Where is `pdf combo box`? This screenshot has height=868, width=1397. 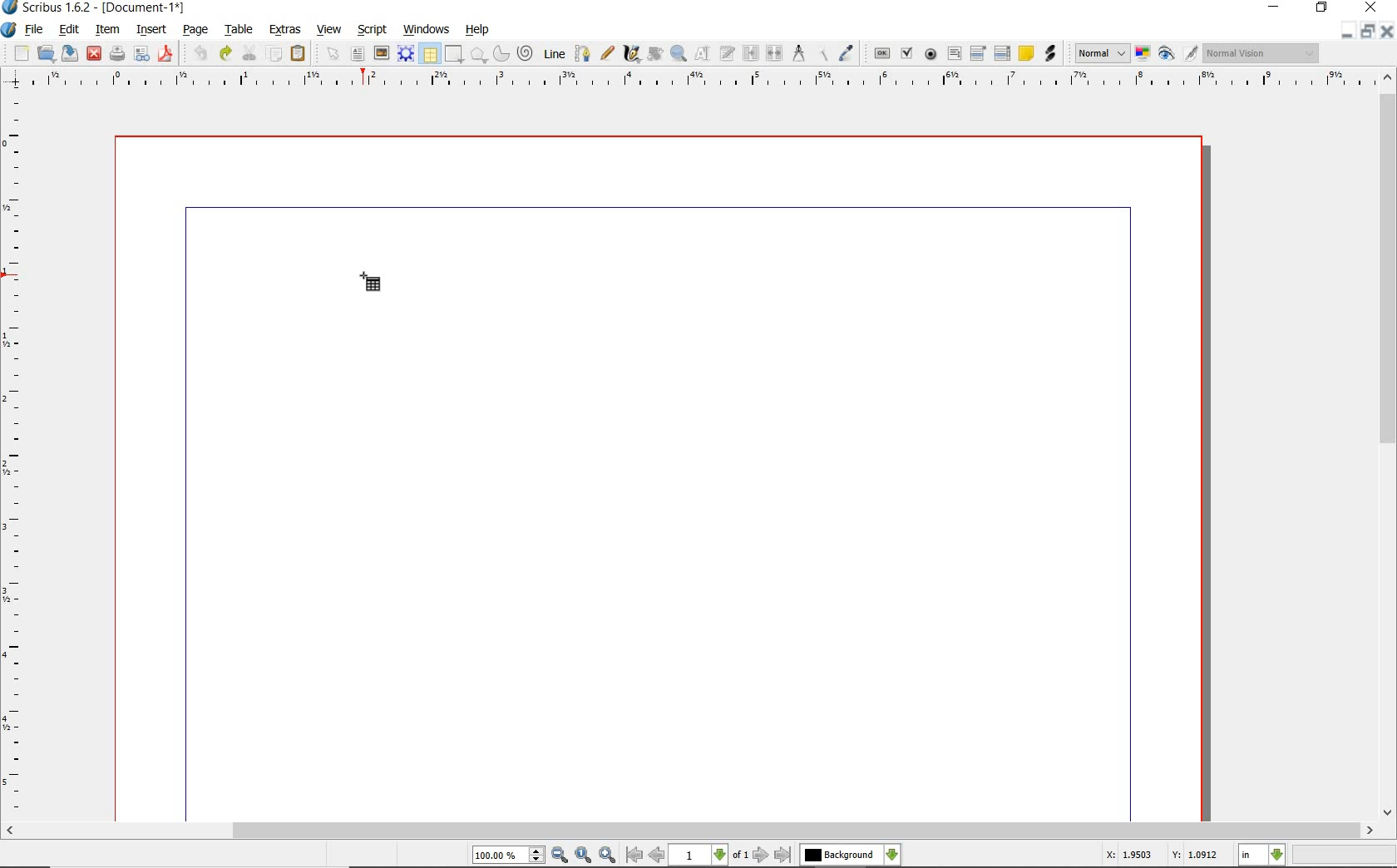
pdf combo box is located at coordinates (980, 54).